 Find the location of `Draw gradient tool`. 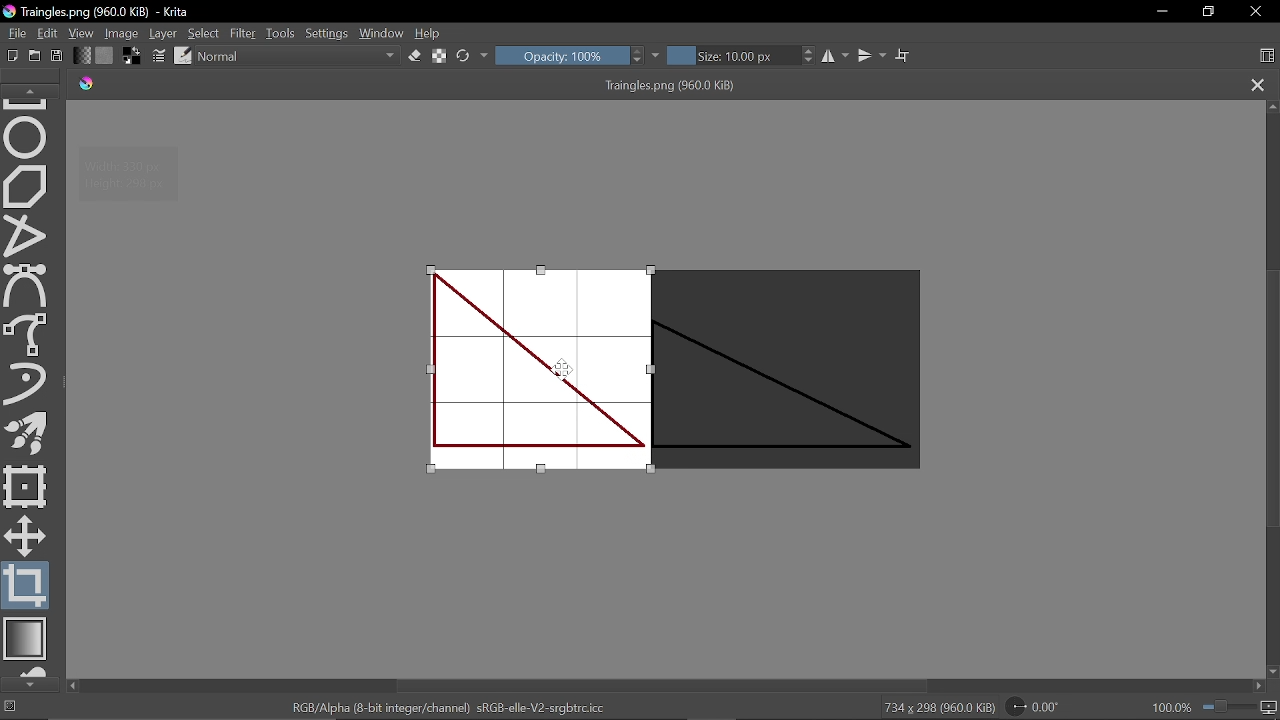

Draw gradient tool is located at coordinates (28, 640).